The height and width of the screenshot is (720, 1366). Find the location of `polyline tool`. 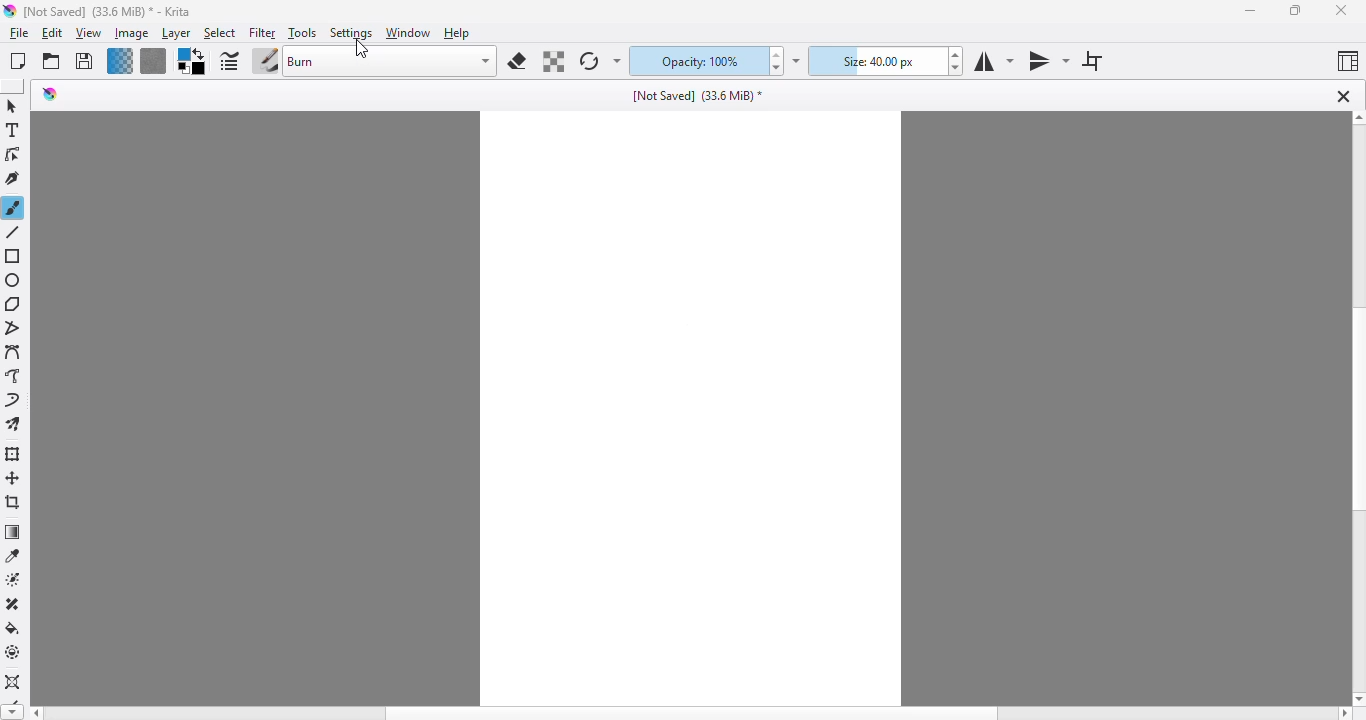

polyline tool is located at coordinates (15, 329).